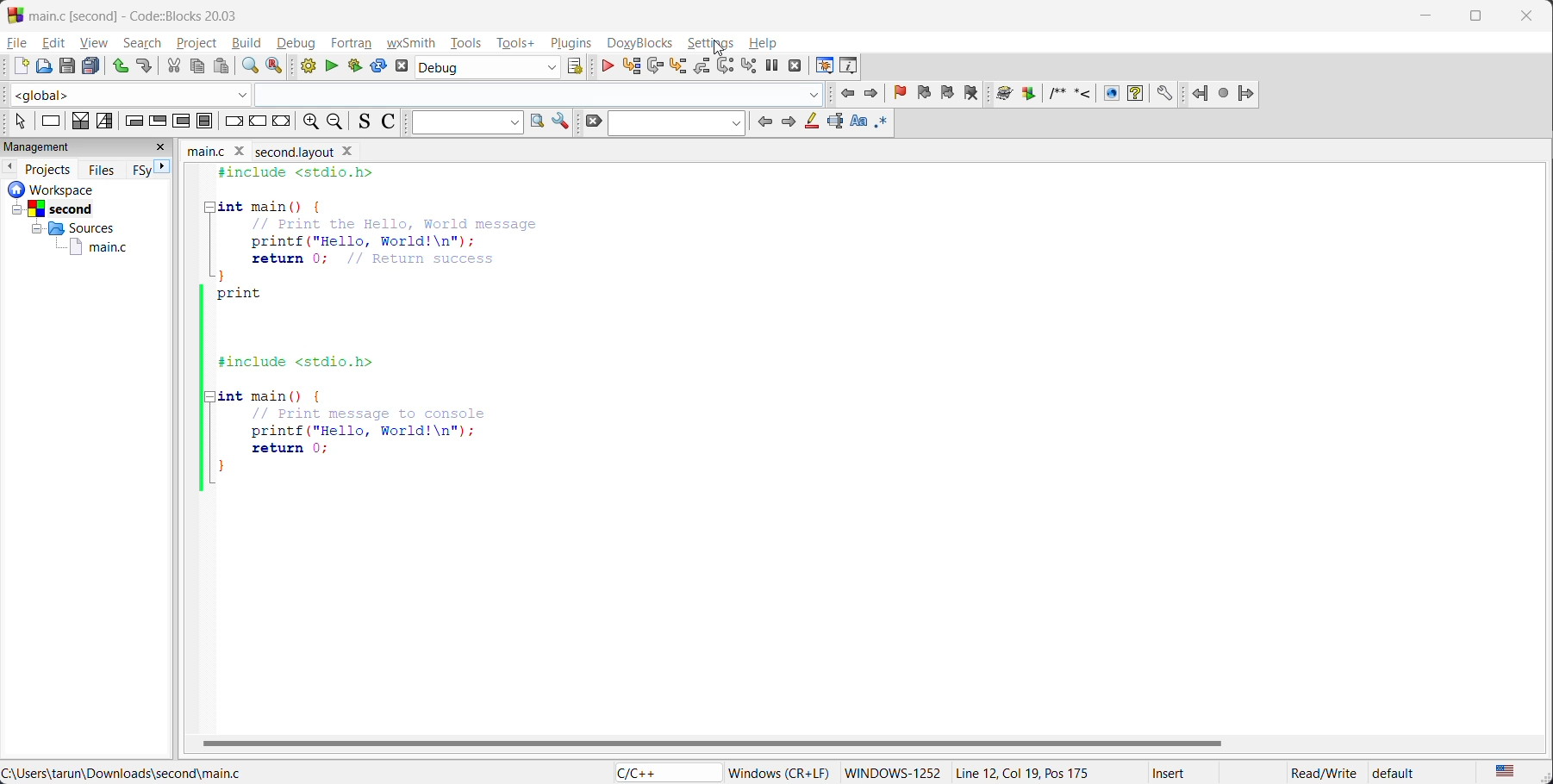 The width and height of the screenshot is (1553, 784). What do you see at coordinates (410, 91) in the screenshot?
I see `code completion compiler` at bounding box center [410, 91].